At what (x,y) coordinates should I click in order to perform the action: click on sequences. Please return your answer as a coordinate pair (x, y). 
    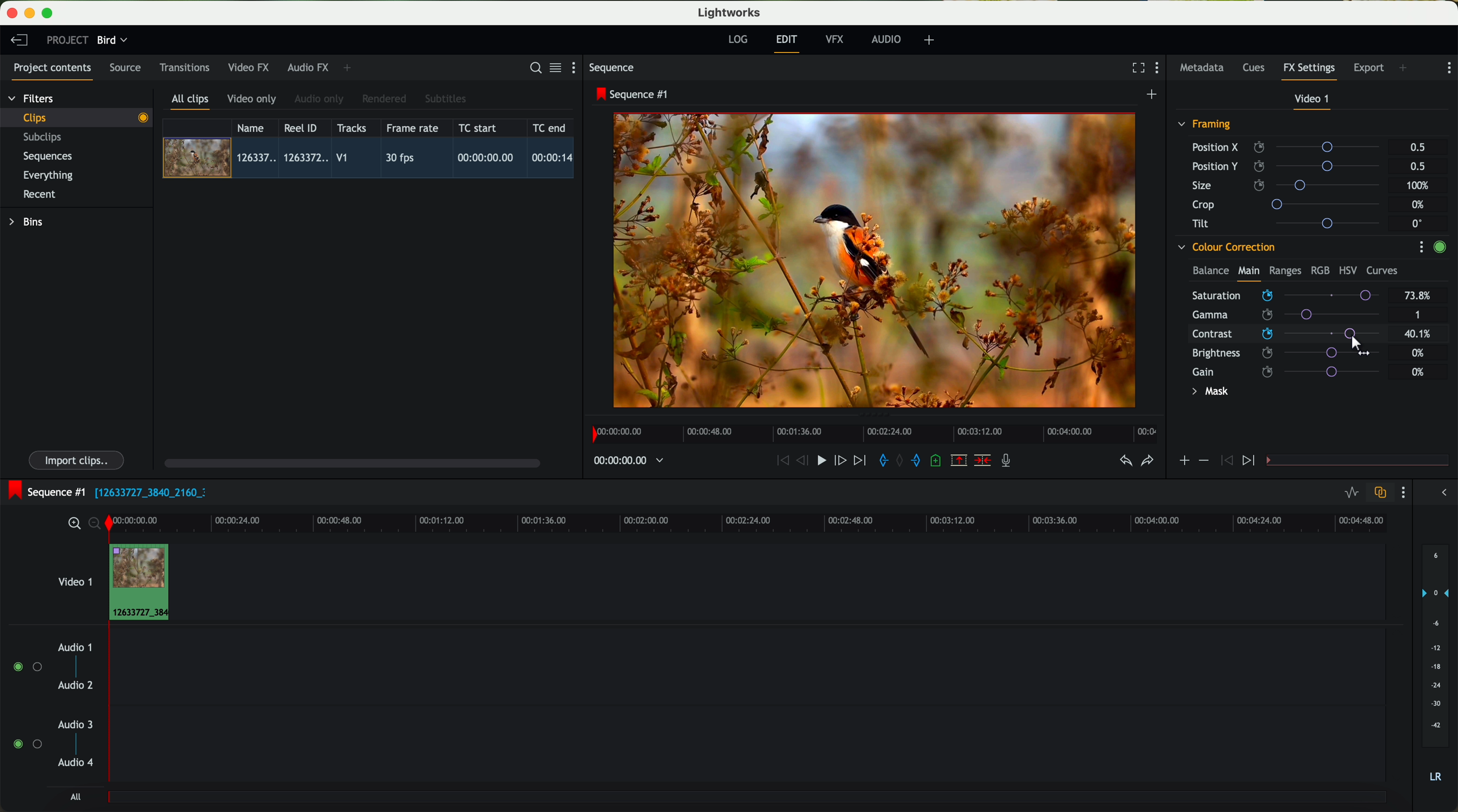
    Looking at the image, I should click on (48, 157).